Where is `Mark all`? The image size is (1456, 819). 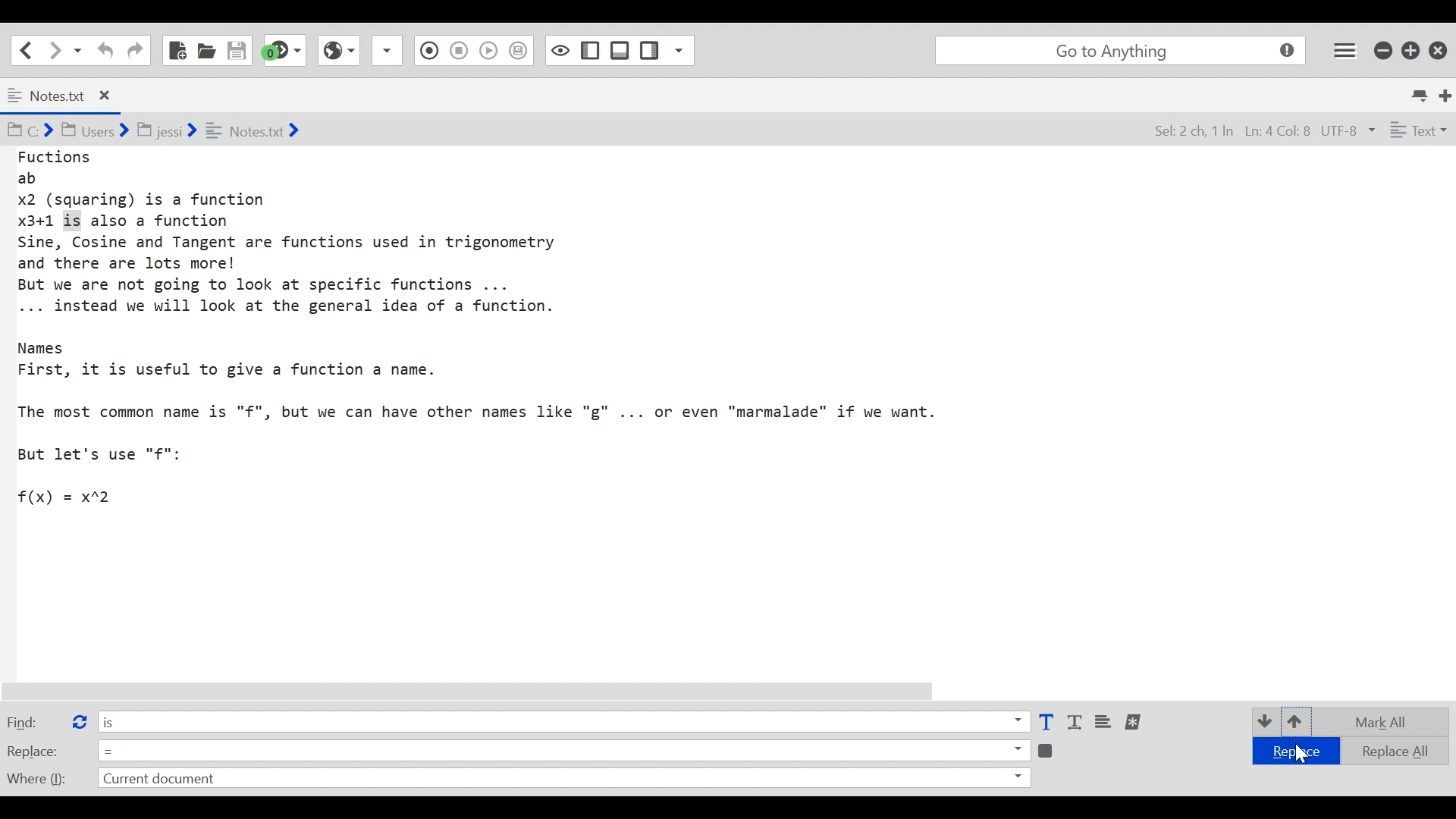 Mark all is located at coordinates (1386, 722).